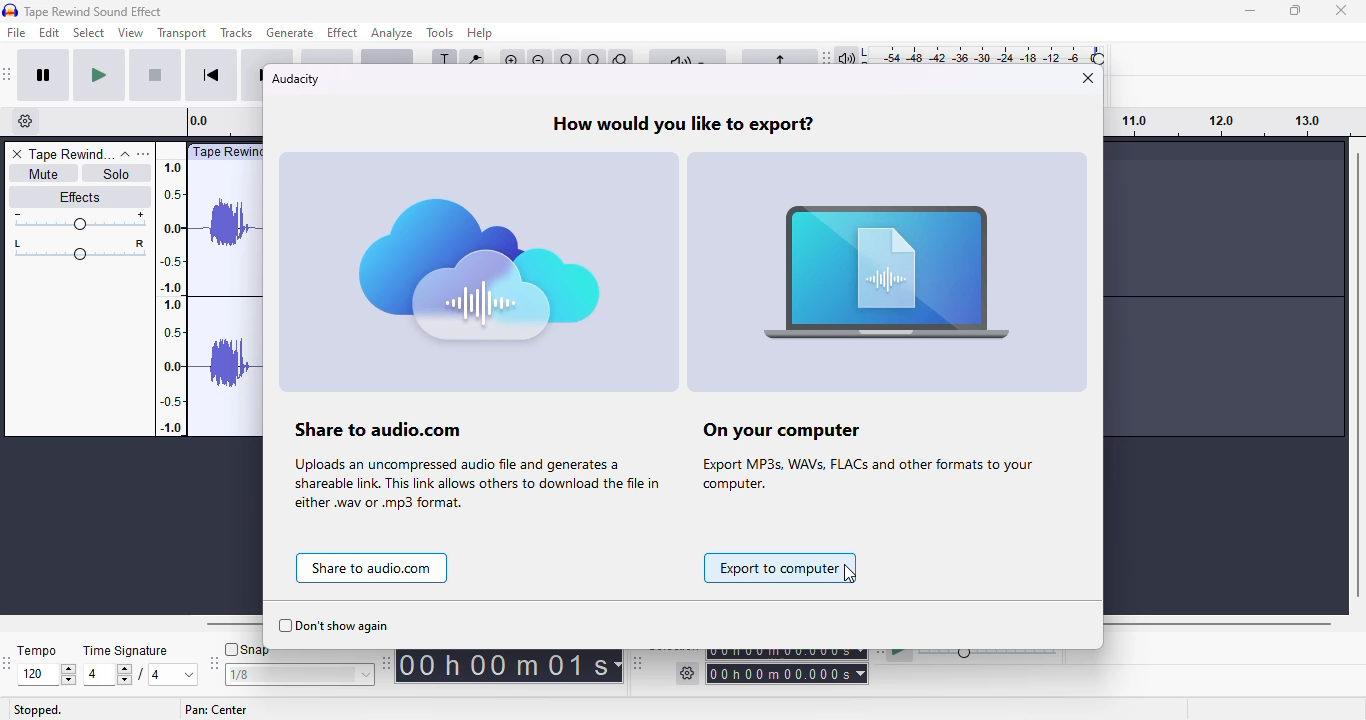 This screenshot has height=720, width=1366. I want to click on view, so click(131, 32).